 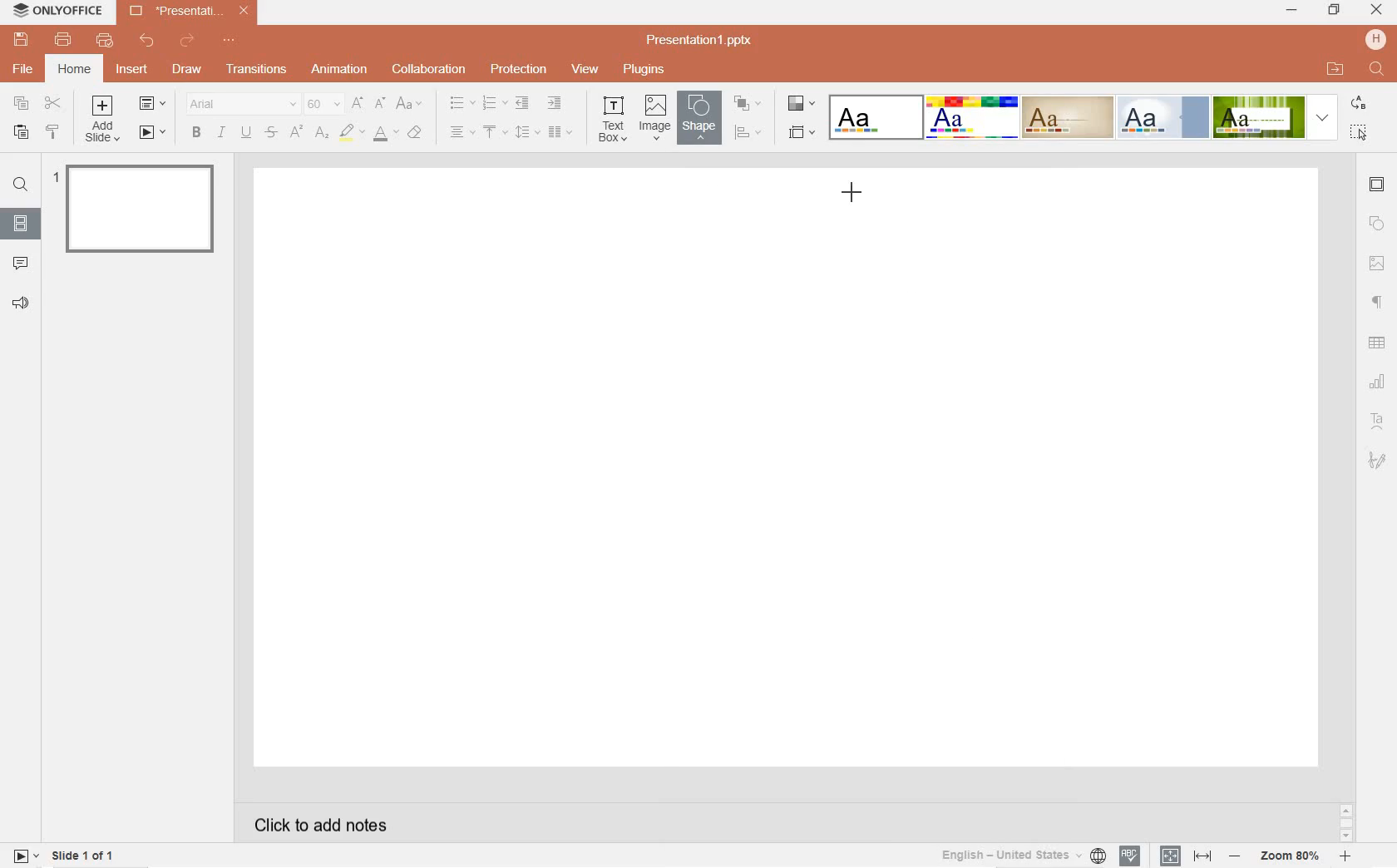 I want to click on FIND, so click(x=1378, y=70).